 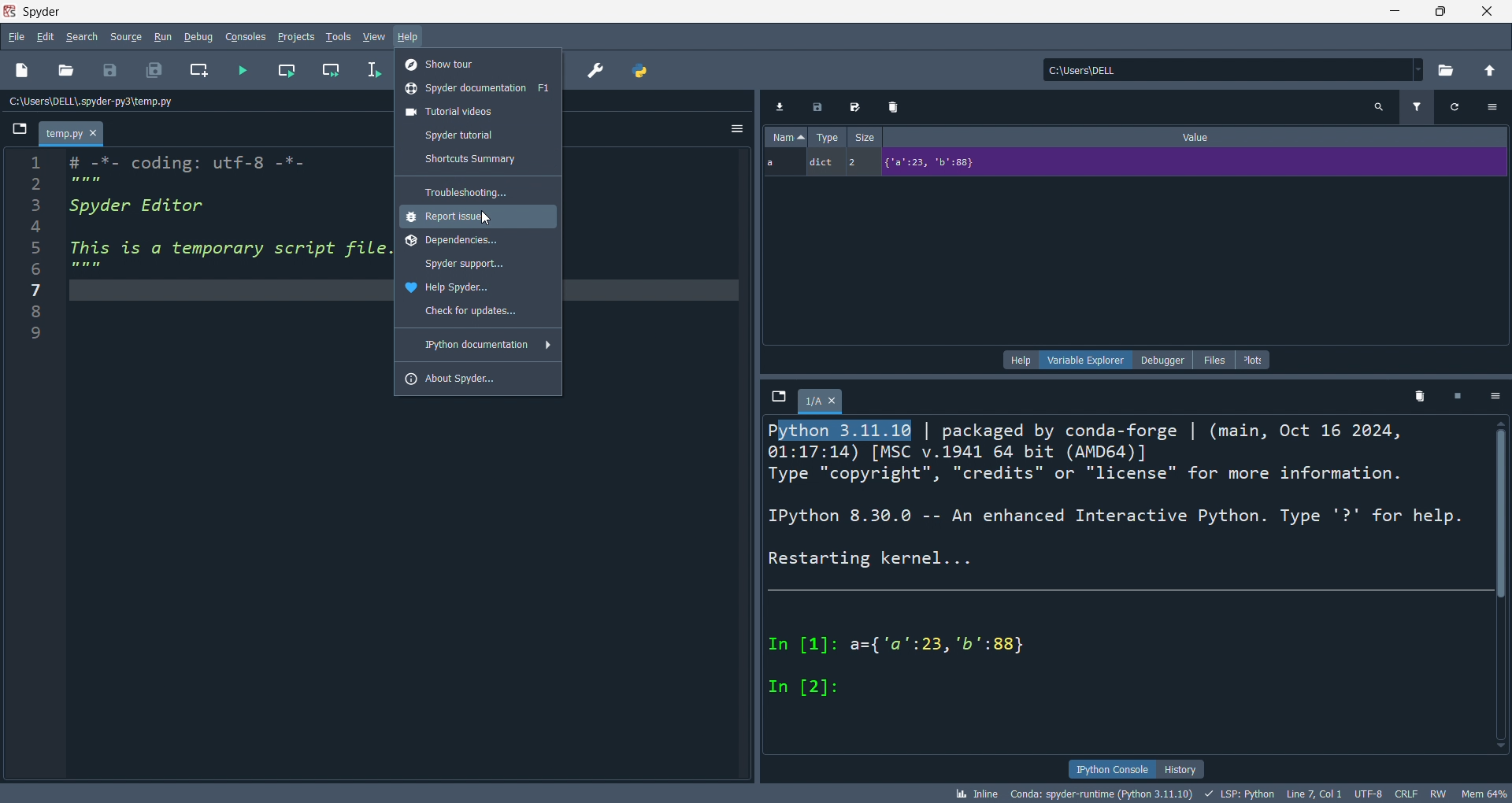 What do you see at coordinates (1502, 583) in the screenshot?
I see `Vertical scroll bar` at bounding box center [1502, 583].